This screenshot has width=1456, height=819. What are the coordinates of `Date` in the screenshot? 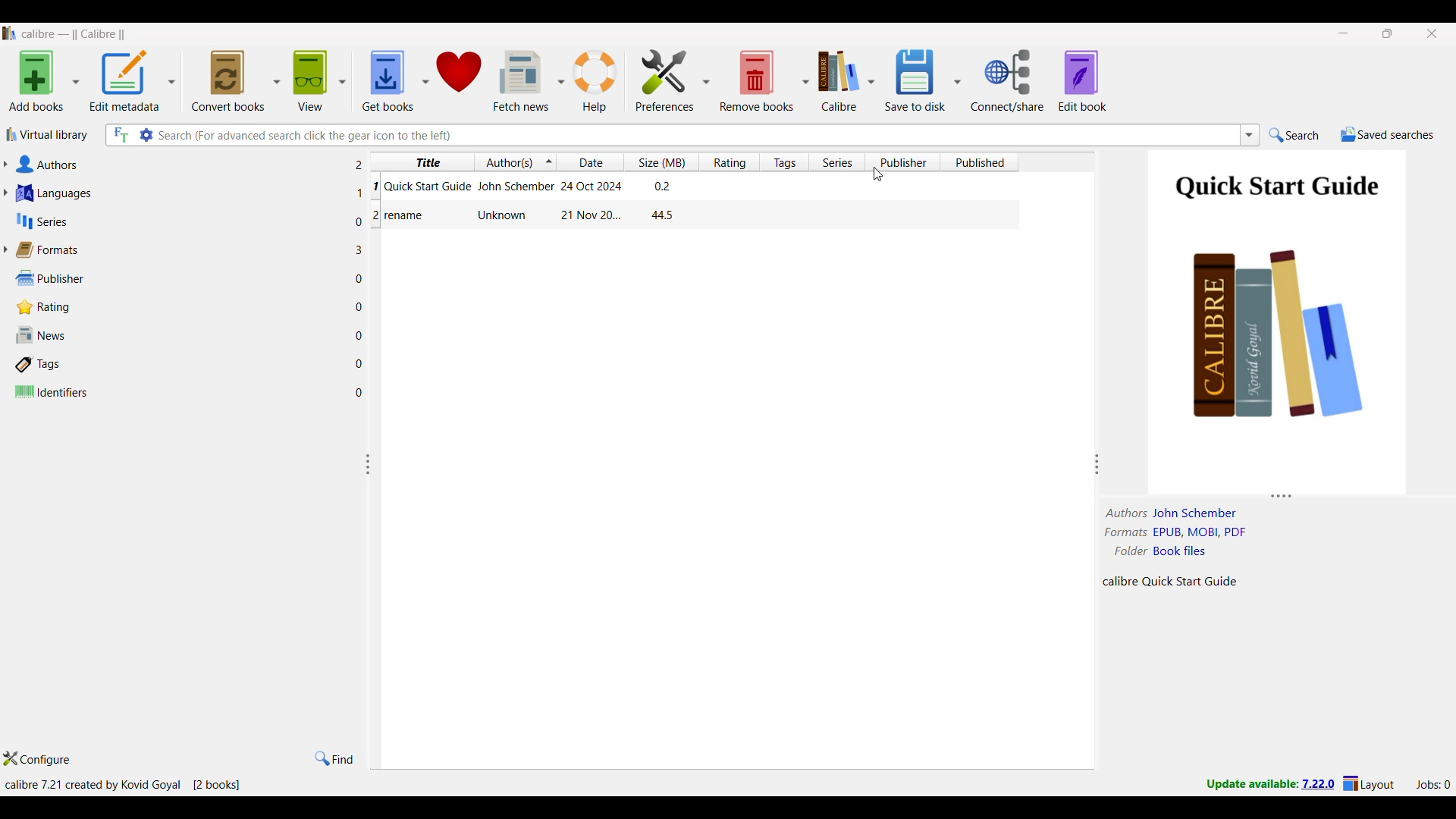 It's located at (593, 185).